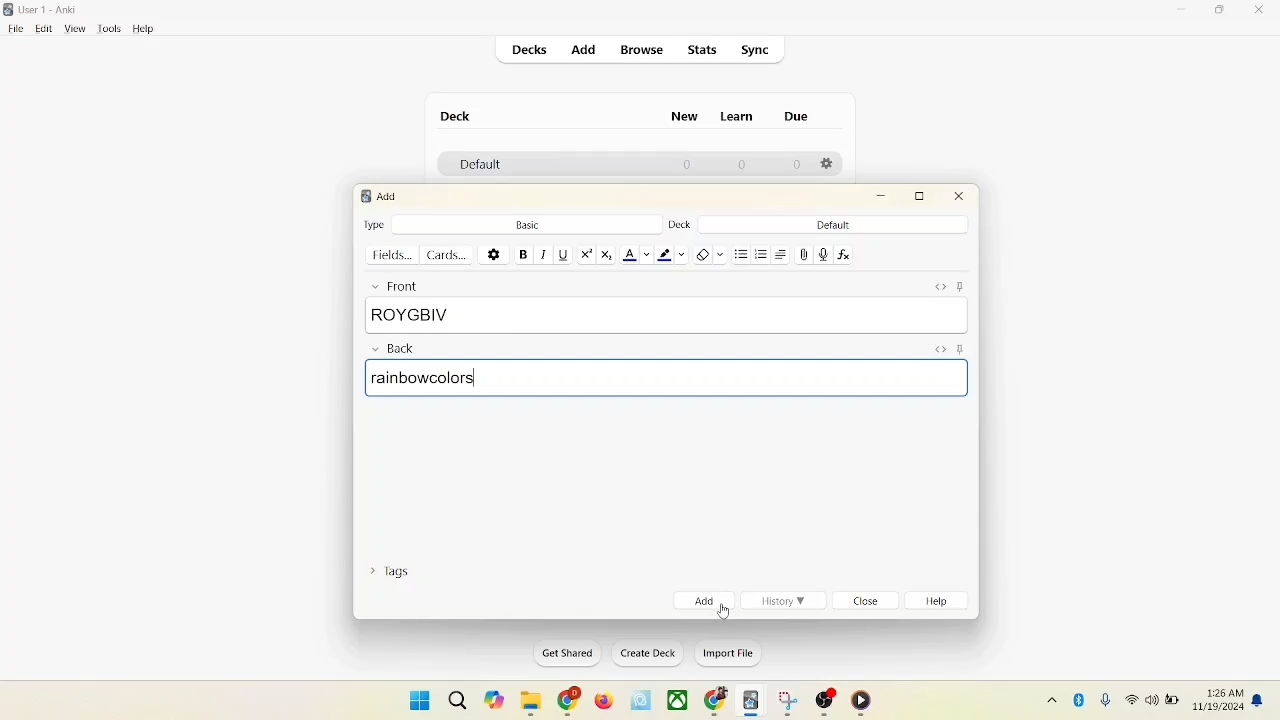 The image size is (1280, 720). Describe the element at coordinates (10, 9) in the screenshot. I see `logo` at that location.